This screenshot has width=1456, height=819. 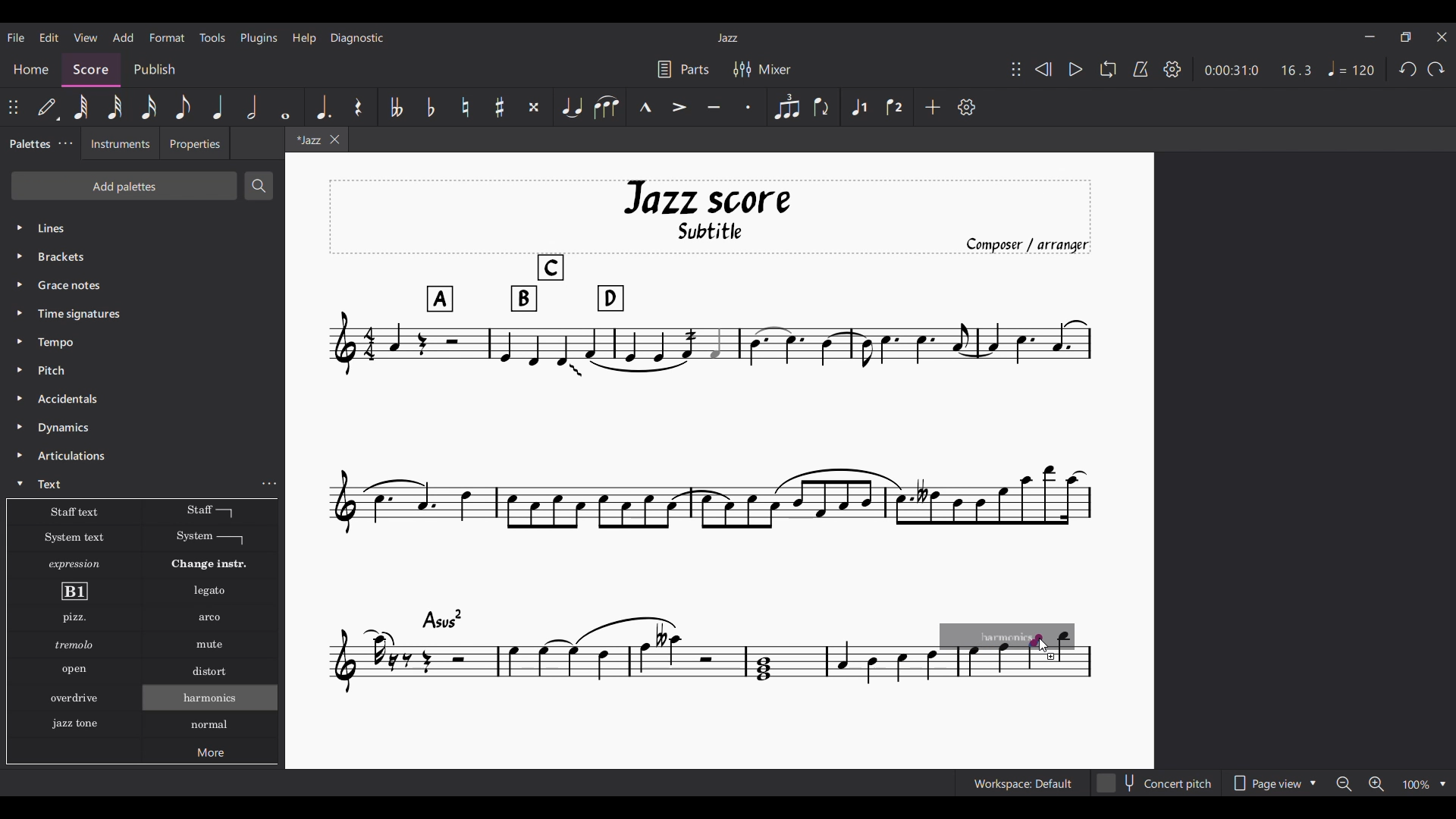 What do you see at coordinates (124, 37) in the screenshot?
I see `Add menu` at bounding box center [124, 37].